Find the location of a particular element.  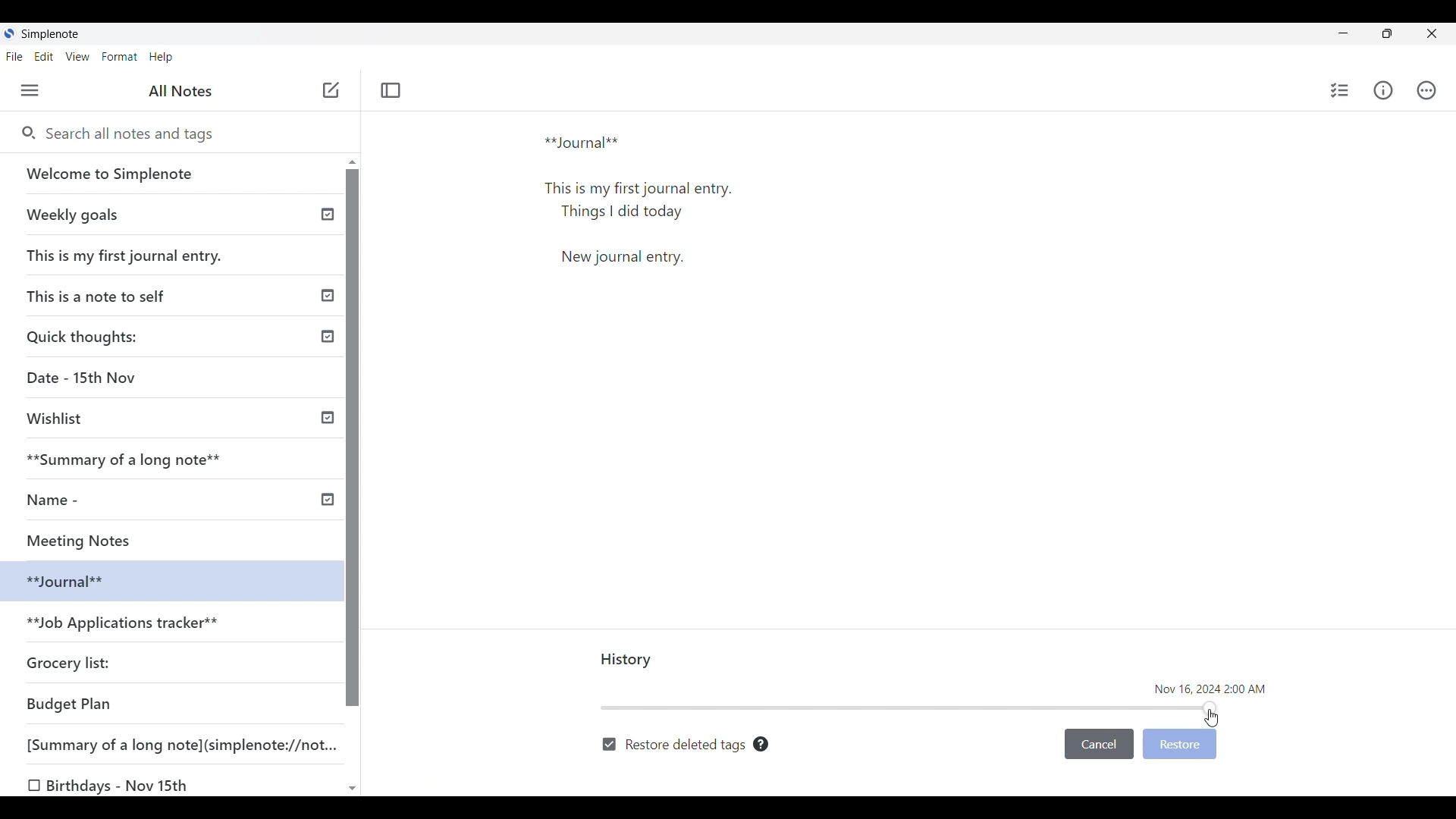

Add new note is located at coordinates (331, 89).